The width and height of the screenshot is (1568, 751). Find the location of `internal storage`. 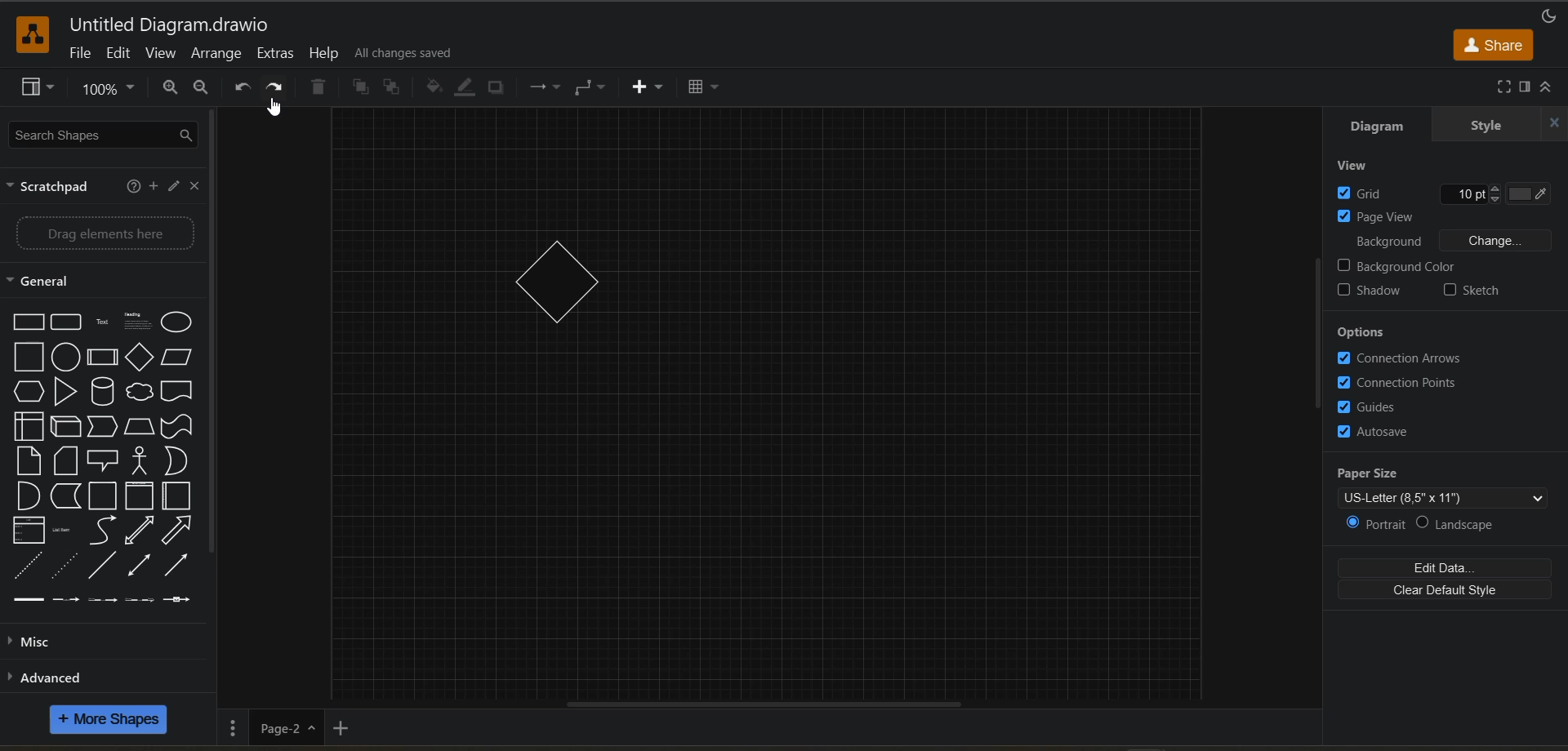

internal storage is located at coordinates (28, 425).